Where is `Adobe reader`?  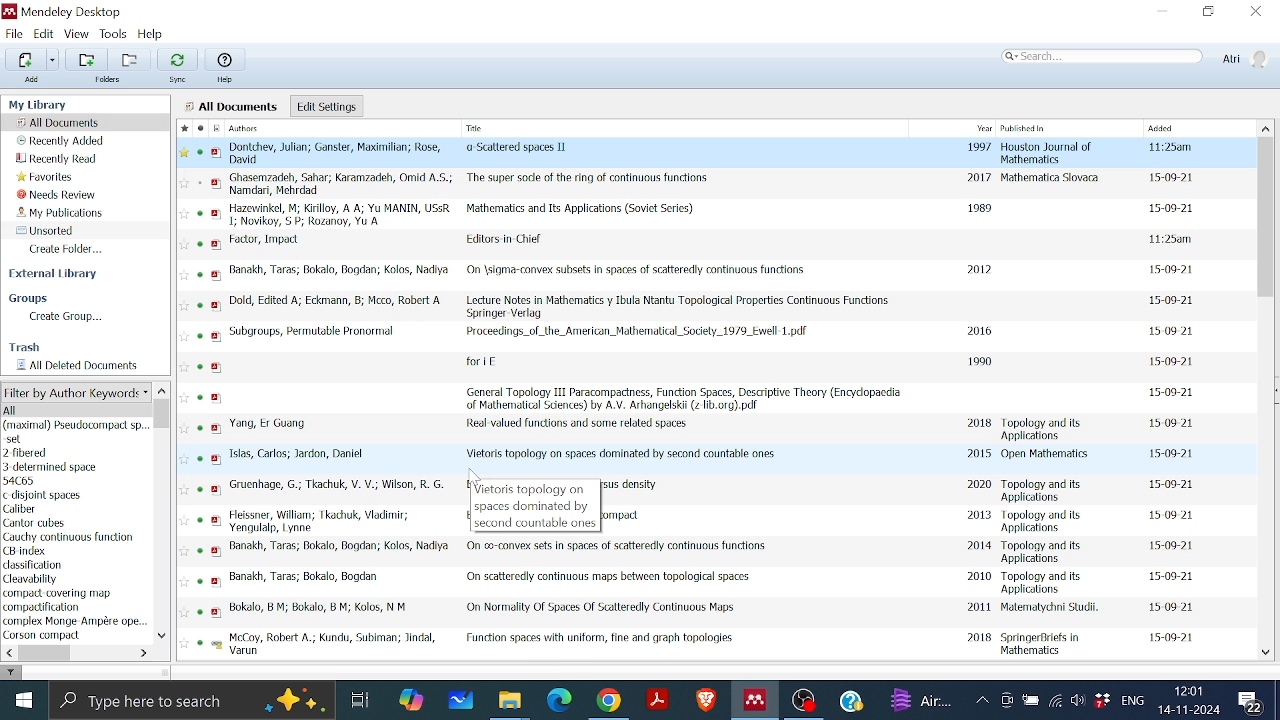 Adobe reader is located at coordinates (658, 699).